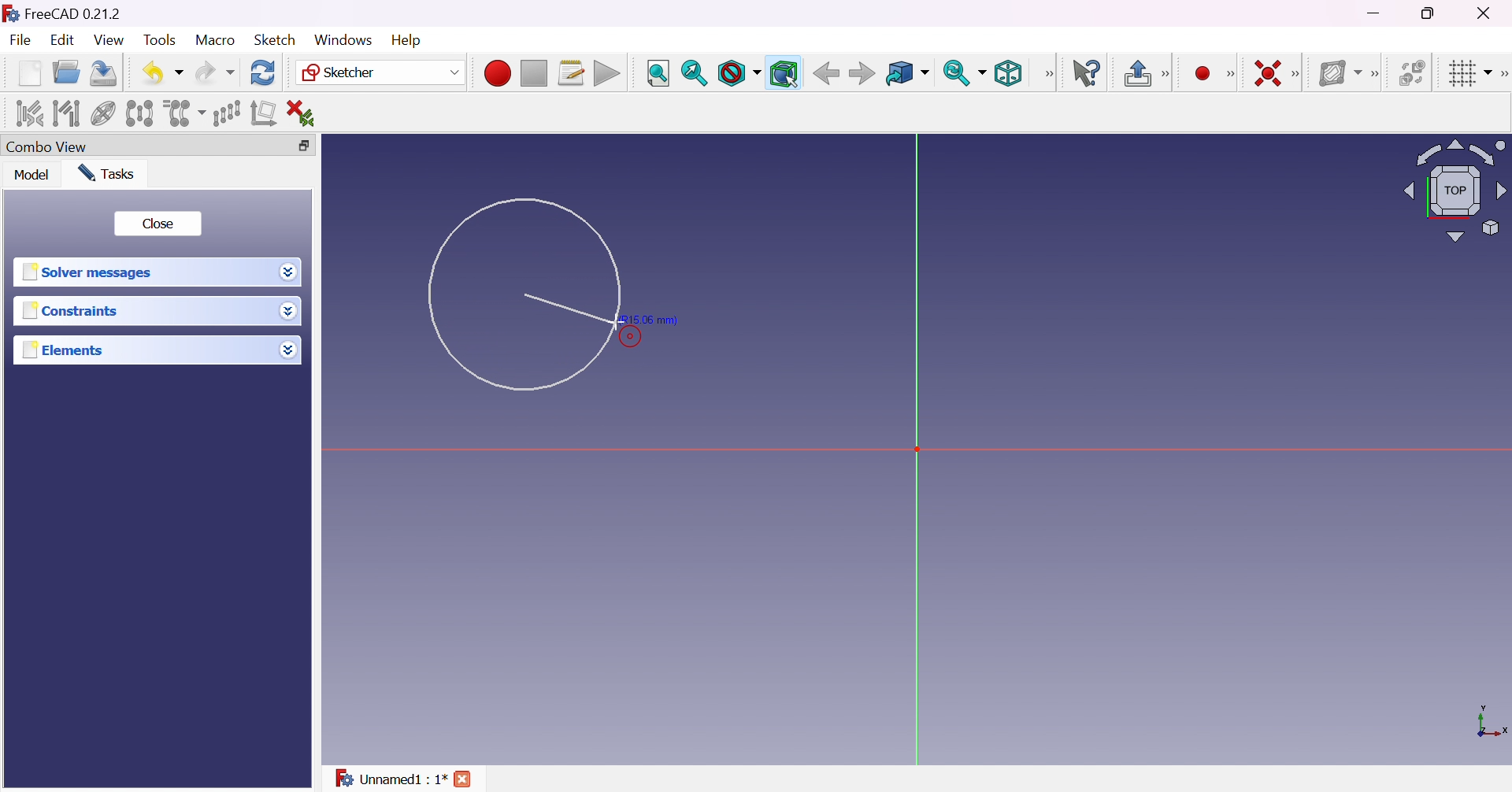 This screenshot has width=1512, height=792. I want to click on Stop macro recording, so click(532, 74).